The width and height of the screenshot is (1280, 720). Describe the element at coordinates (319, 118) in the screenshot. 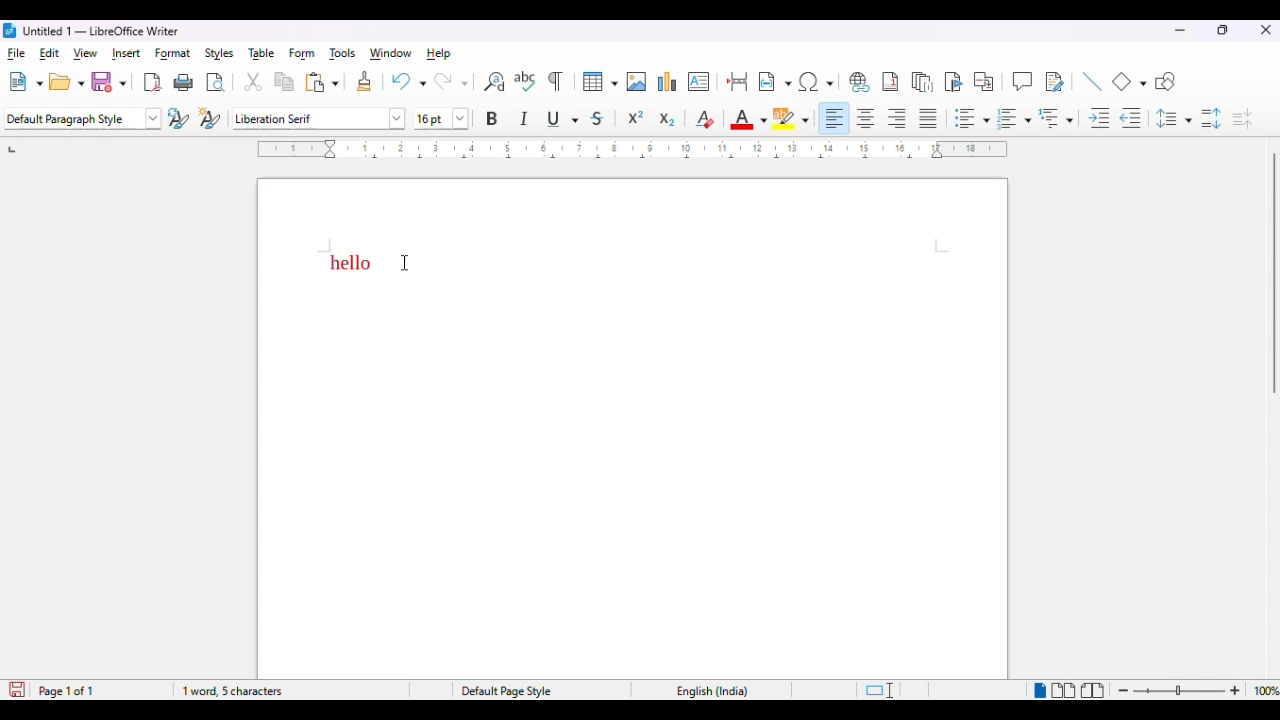

I see `font style` at that location.